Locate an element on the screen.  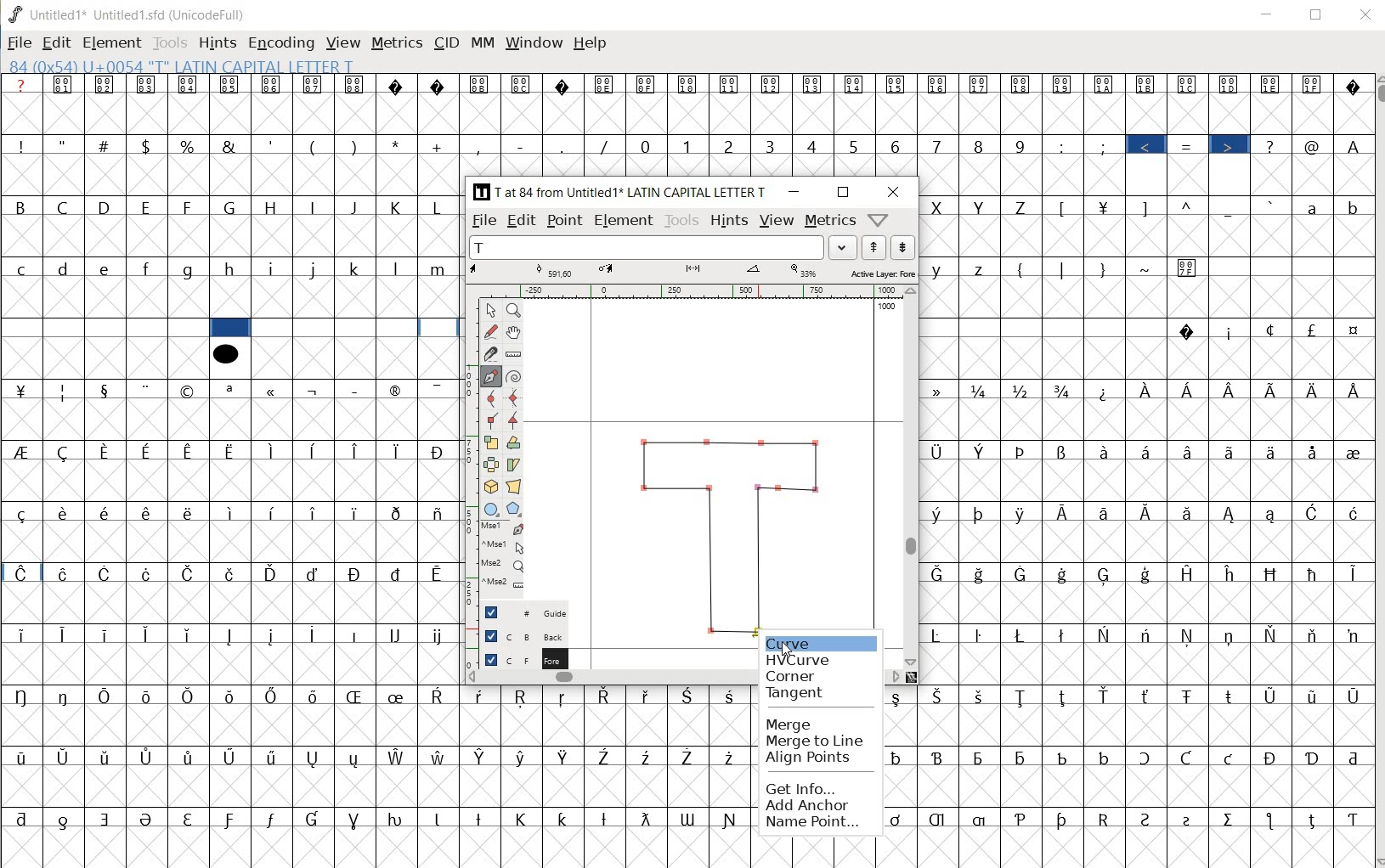
Symbol is located at coordinates (1147, 635).